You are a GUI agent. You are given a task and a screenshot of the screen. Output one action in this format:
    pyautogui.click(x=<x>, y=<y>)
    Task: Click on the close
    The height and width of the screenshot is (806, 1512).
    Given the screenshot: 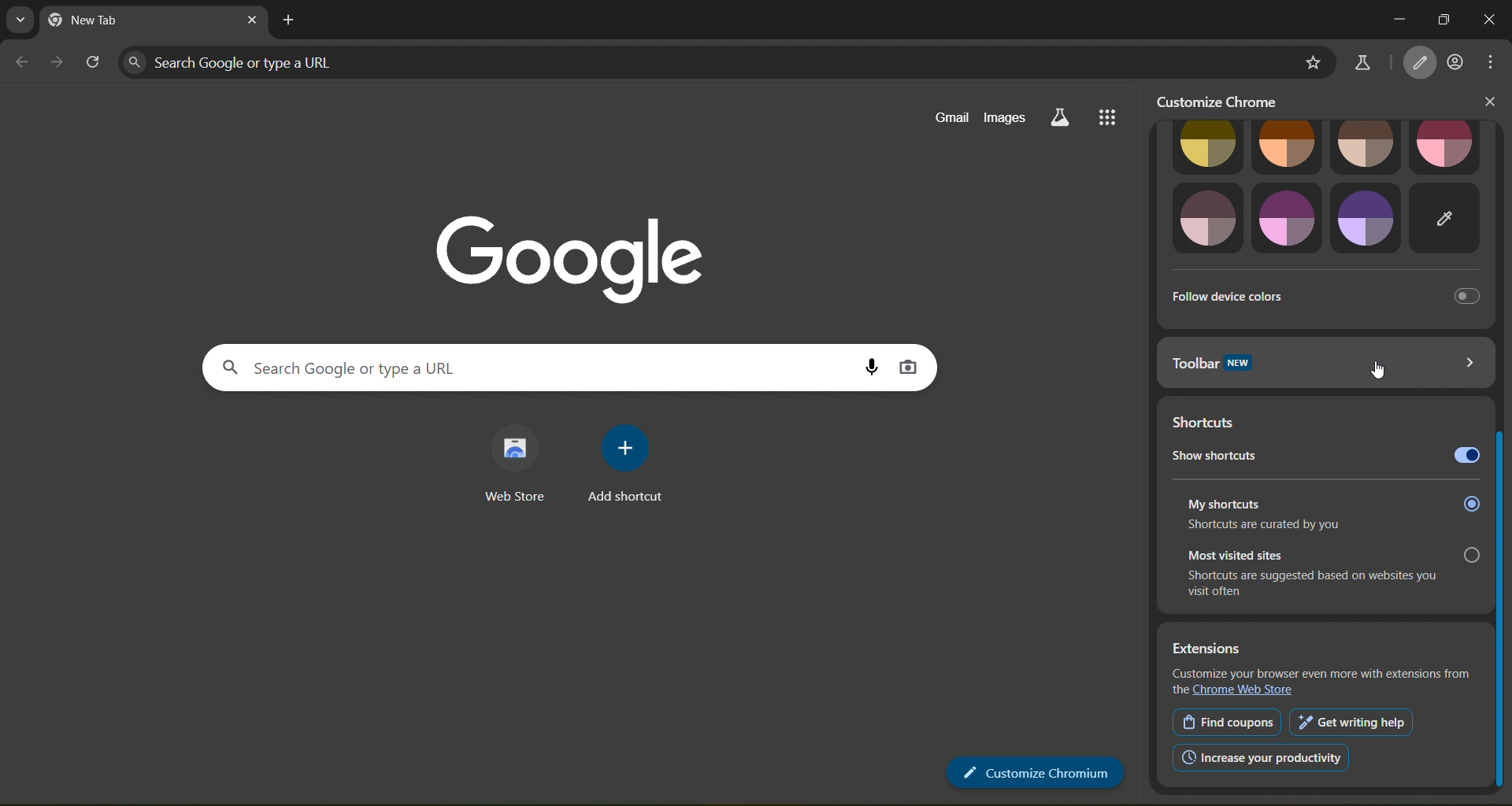 What is the action you would take?
    pyautogui.click(x=1491, y=20)
    